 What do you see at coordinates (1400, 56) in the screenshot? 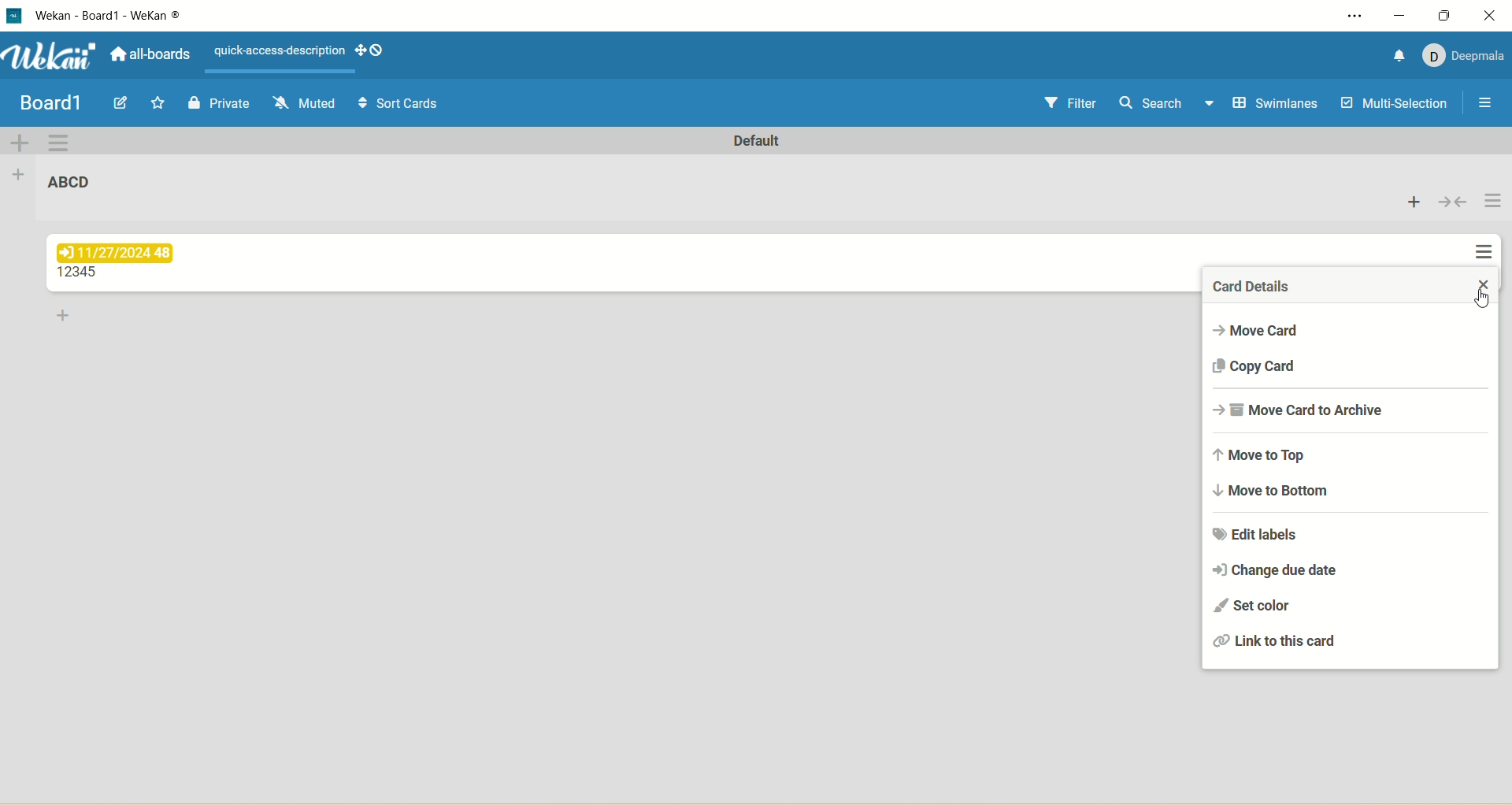
I see `notification` at bounding box center [1400, 56].